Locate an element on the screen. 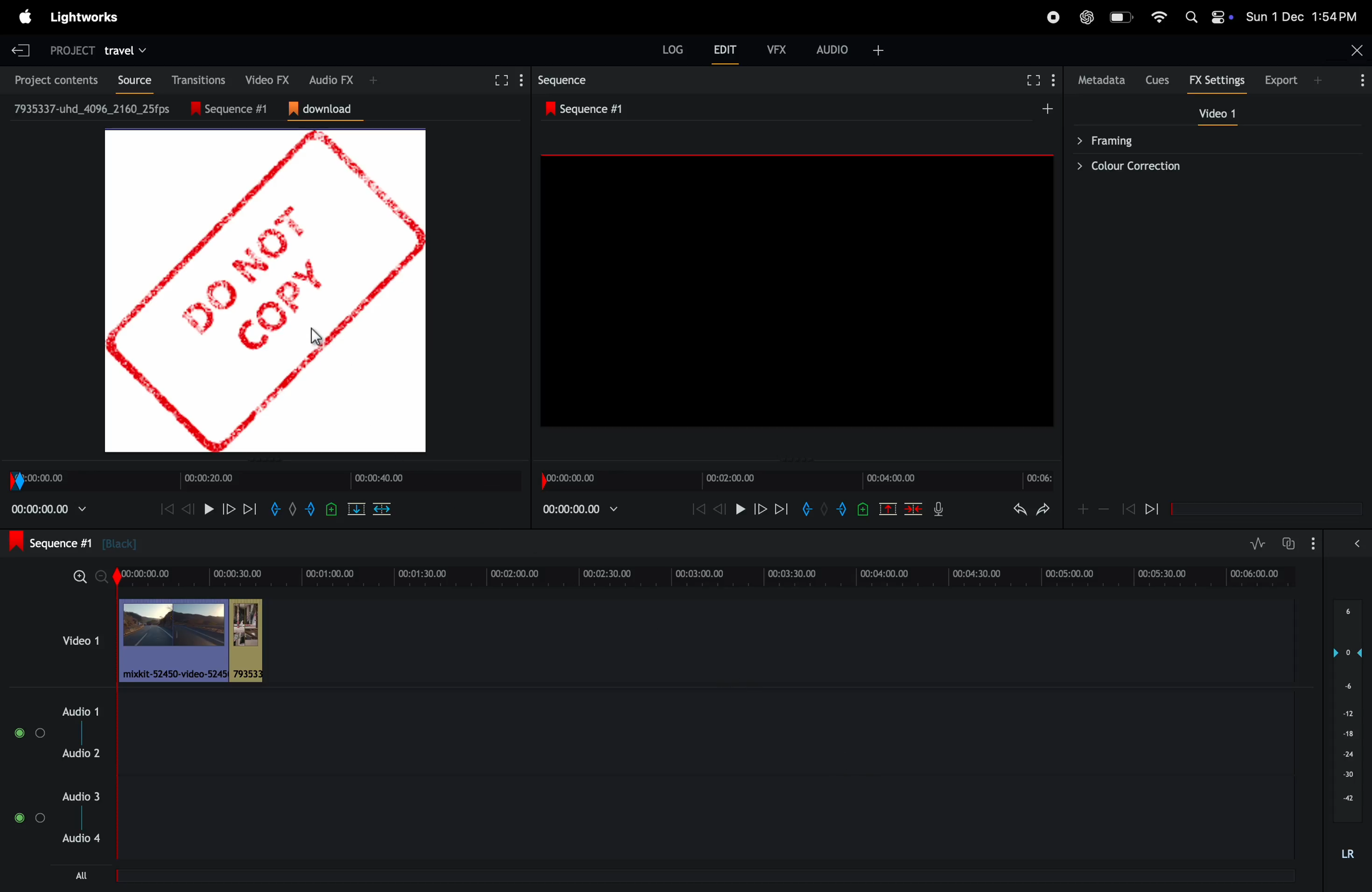 The image size is (1372, 892). next frame is located at coordinates (782, 508).